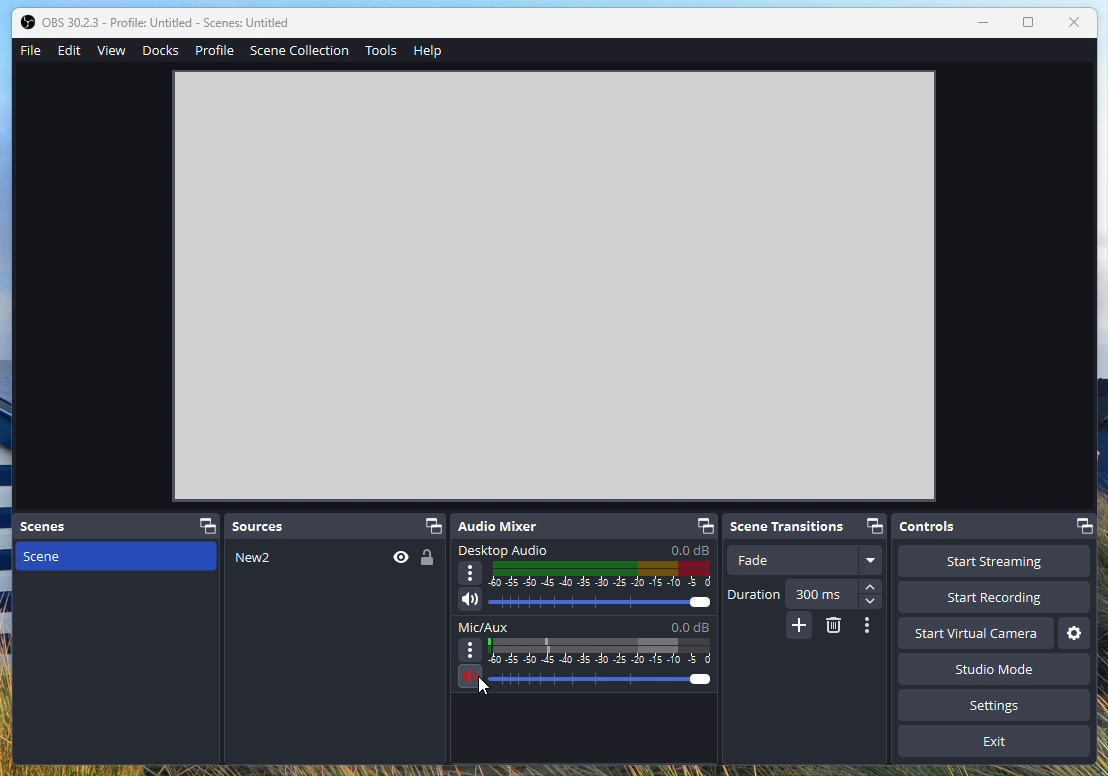 Image resolution: width=1108 pixels, height=776 pixels. What do you see at coordinates (160, 22) in the screenshot?
I see `OBS Studio` at bounding box center [160, 22].